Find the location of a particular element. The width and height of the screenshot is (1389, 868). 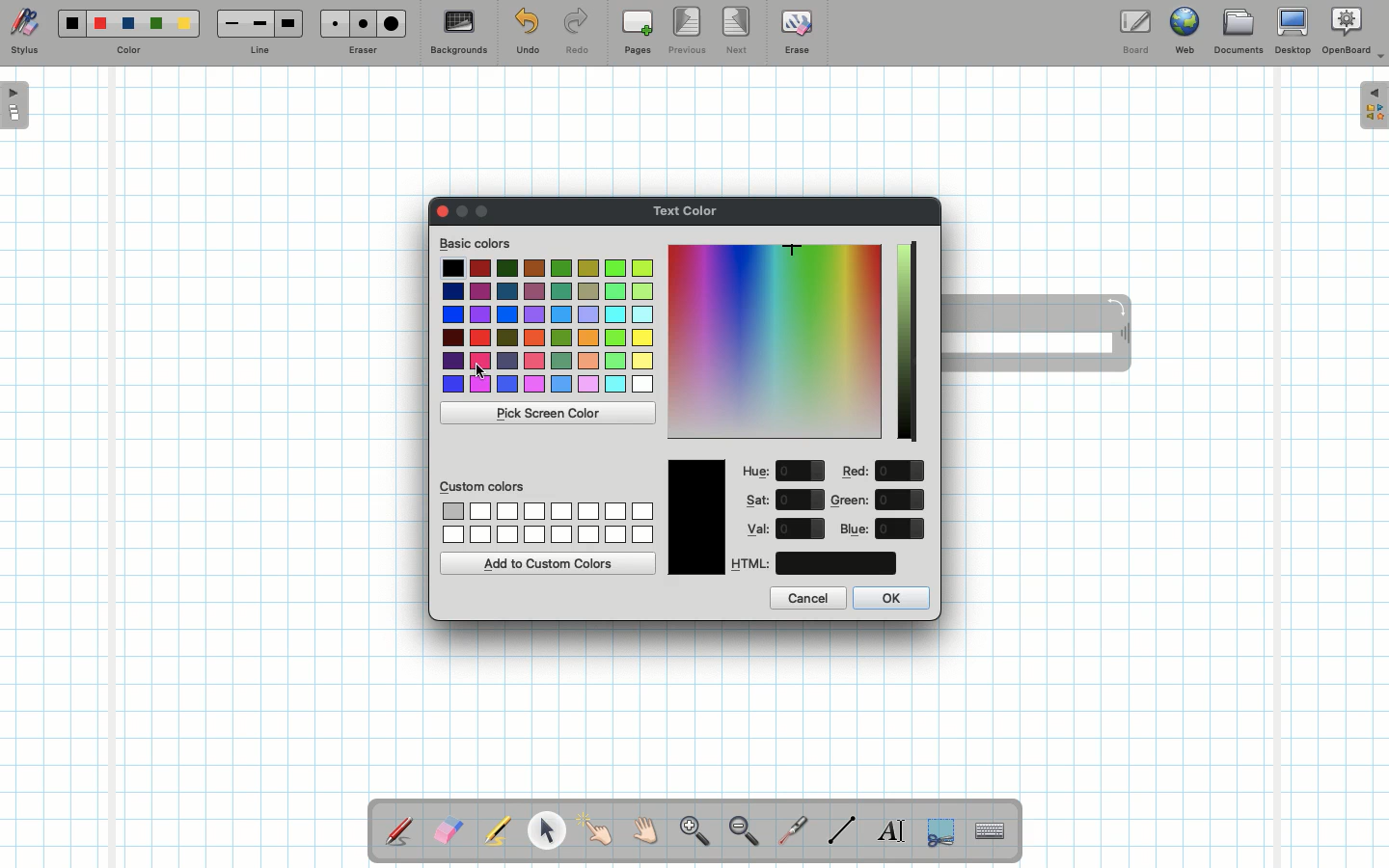

value is located at coordinates (801, 472).